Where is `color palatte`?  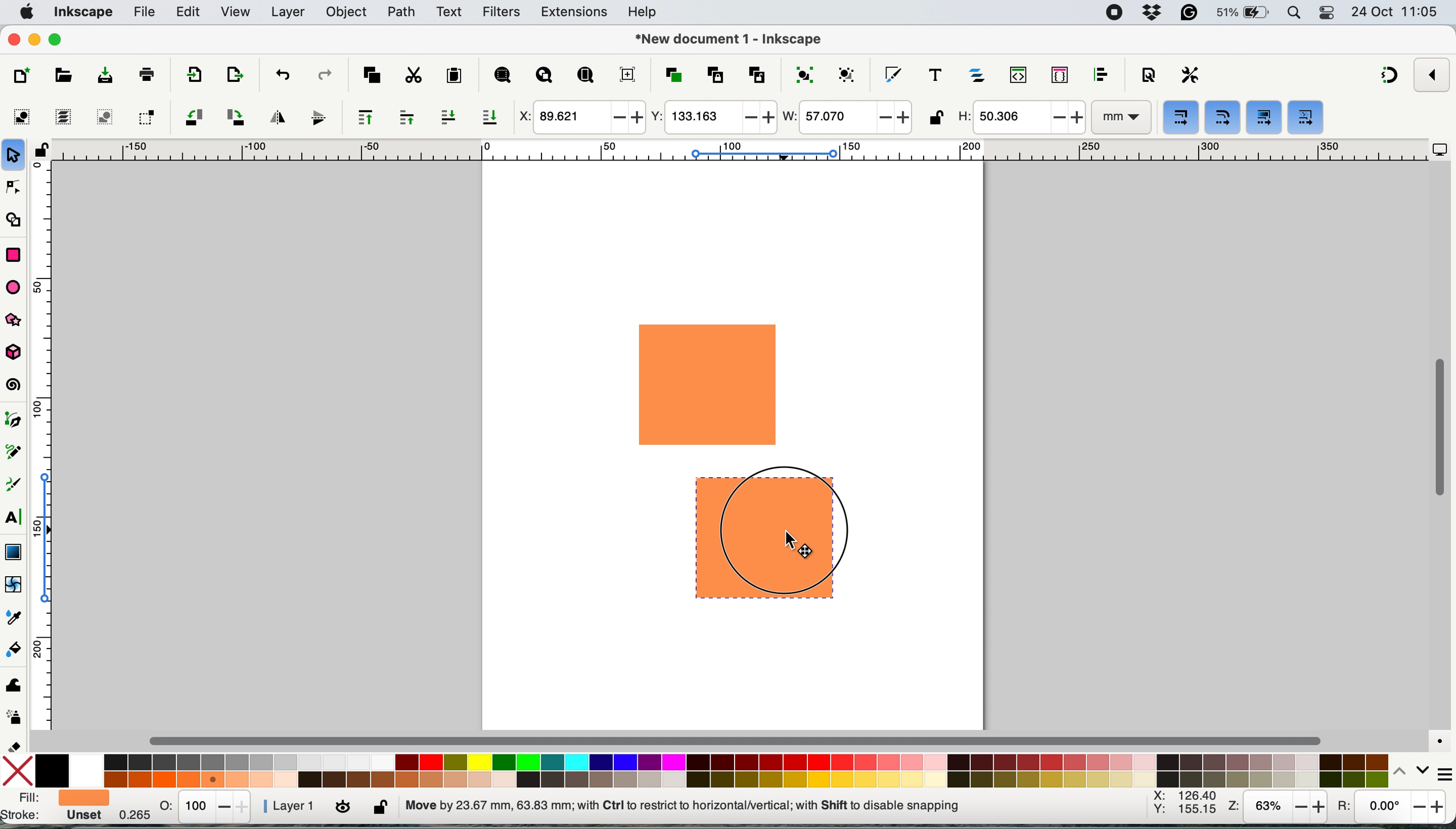 color palatte is located at coordinates (713, 769).